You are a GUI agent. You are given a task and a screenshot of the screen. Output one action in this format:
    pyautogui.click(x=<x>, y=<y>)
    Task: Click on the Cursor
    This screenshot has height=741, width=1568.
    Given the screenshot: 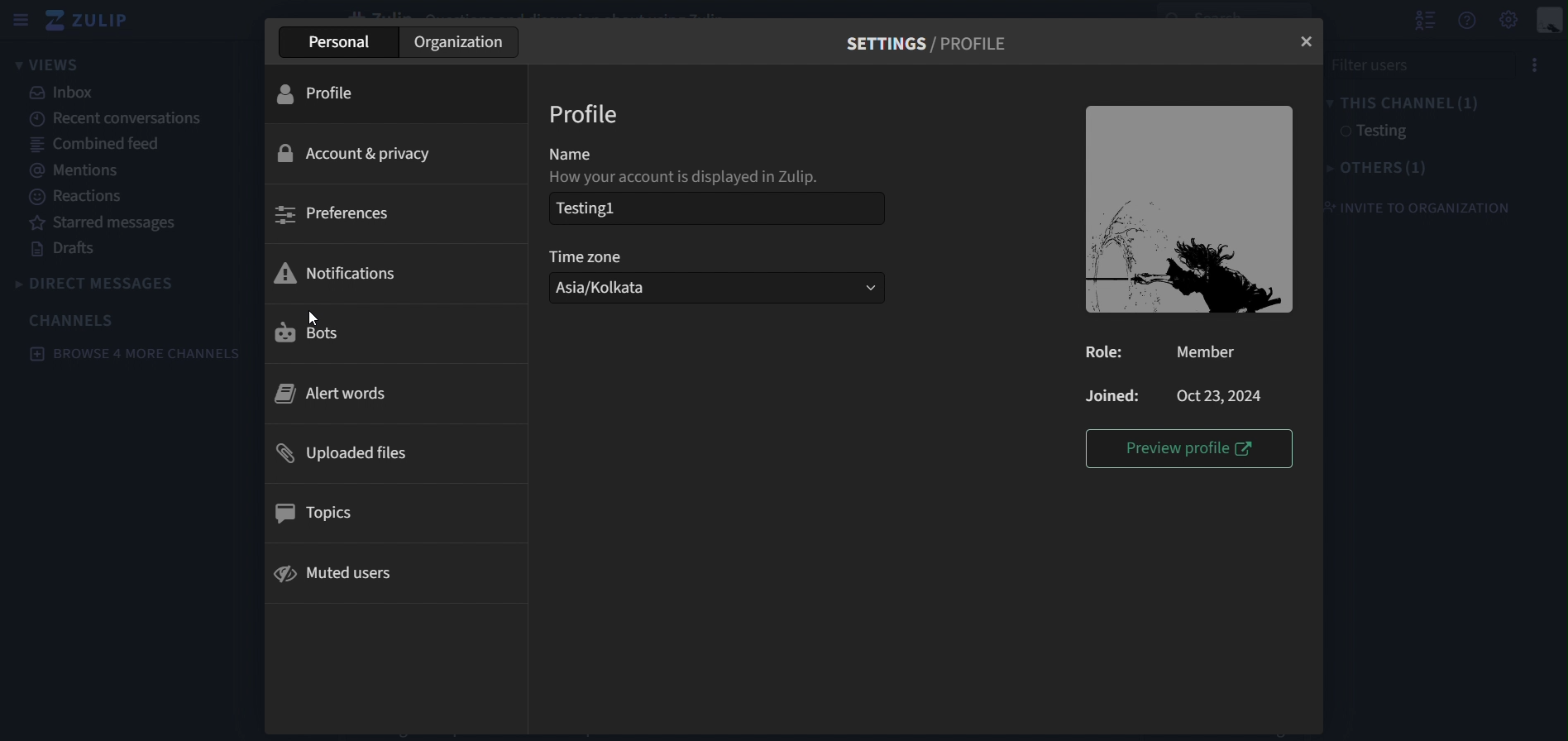 What is the action you would take?
    pyautogui.click(x=313, y=318)
    